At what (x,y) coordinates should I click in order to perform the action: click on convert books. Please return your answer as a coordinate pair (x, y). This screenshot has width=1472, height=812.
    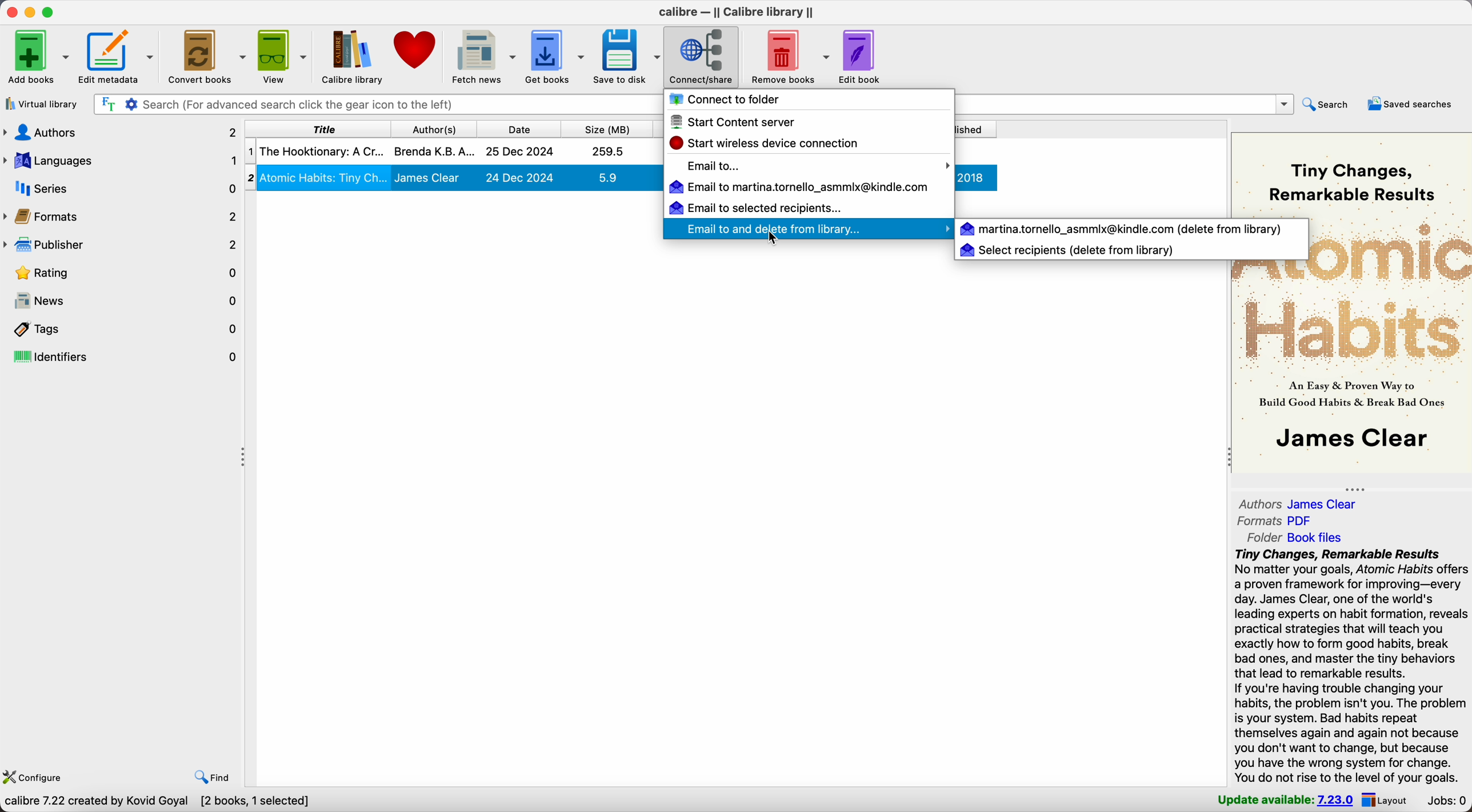
    Looking at the image, I should click on (208, 57).